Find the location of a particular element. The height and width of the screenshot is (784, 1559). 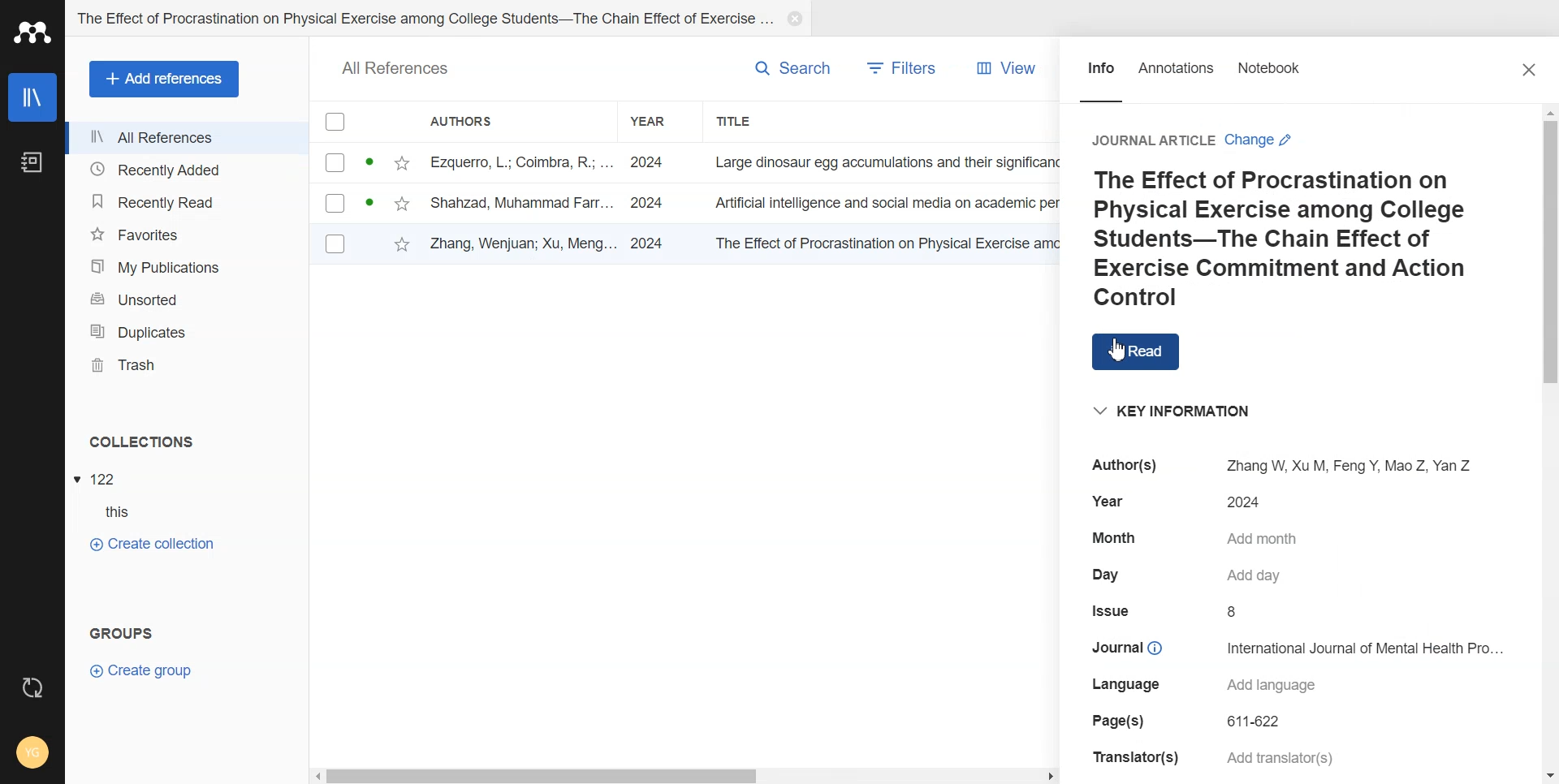

 The Effect of Procrastination on Physical Exercise among College Students-The Chain Effect of Exercise... is located at coordinates (424, 15).